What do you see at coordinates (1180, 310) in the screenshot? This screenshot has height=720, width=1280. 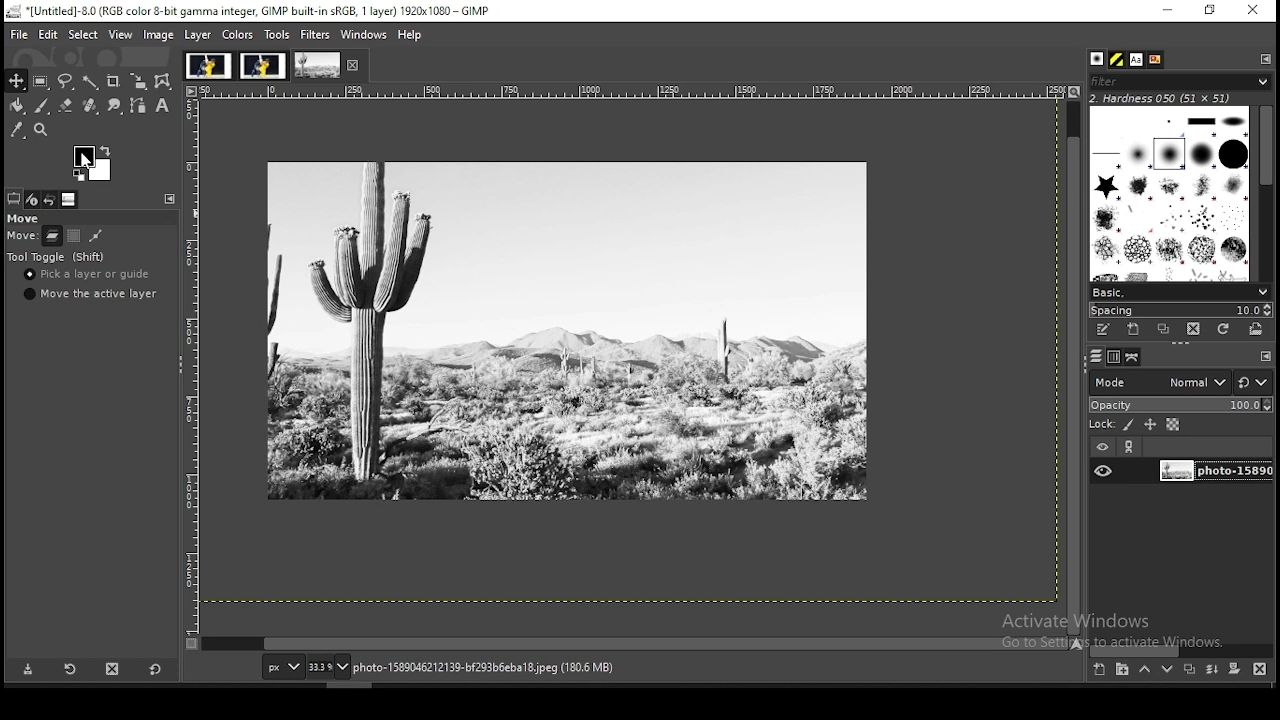 I see `spacing` at bounding box center [1180, 310].